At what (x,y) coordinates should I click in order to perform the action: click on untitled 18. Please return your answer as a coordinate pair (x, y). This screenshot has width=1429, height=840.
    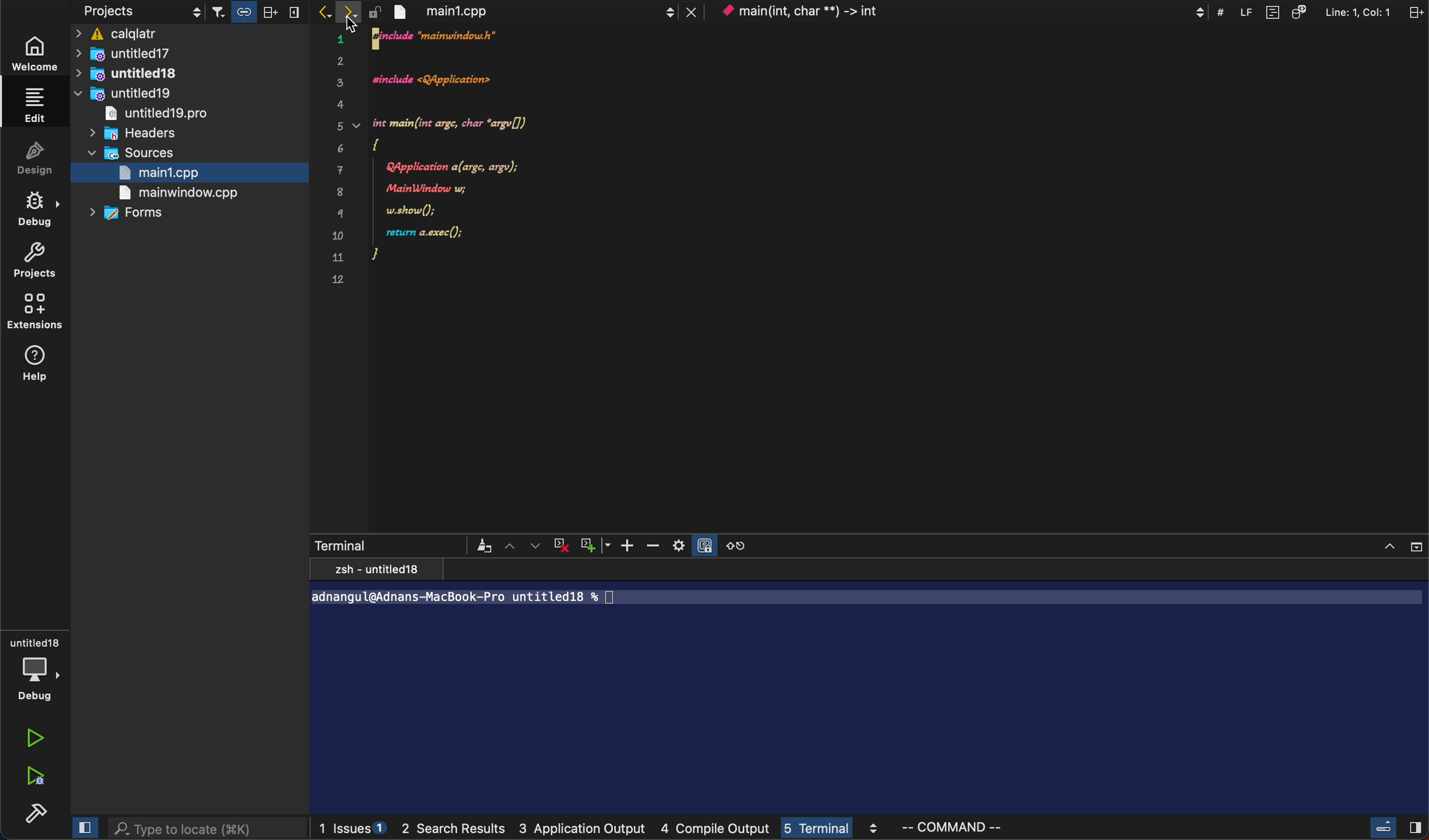
    Looking at the image, I should click on (135, 74).